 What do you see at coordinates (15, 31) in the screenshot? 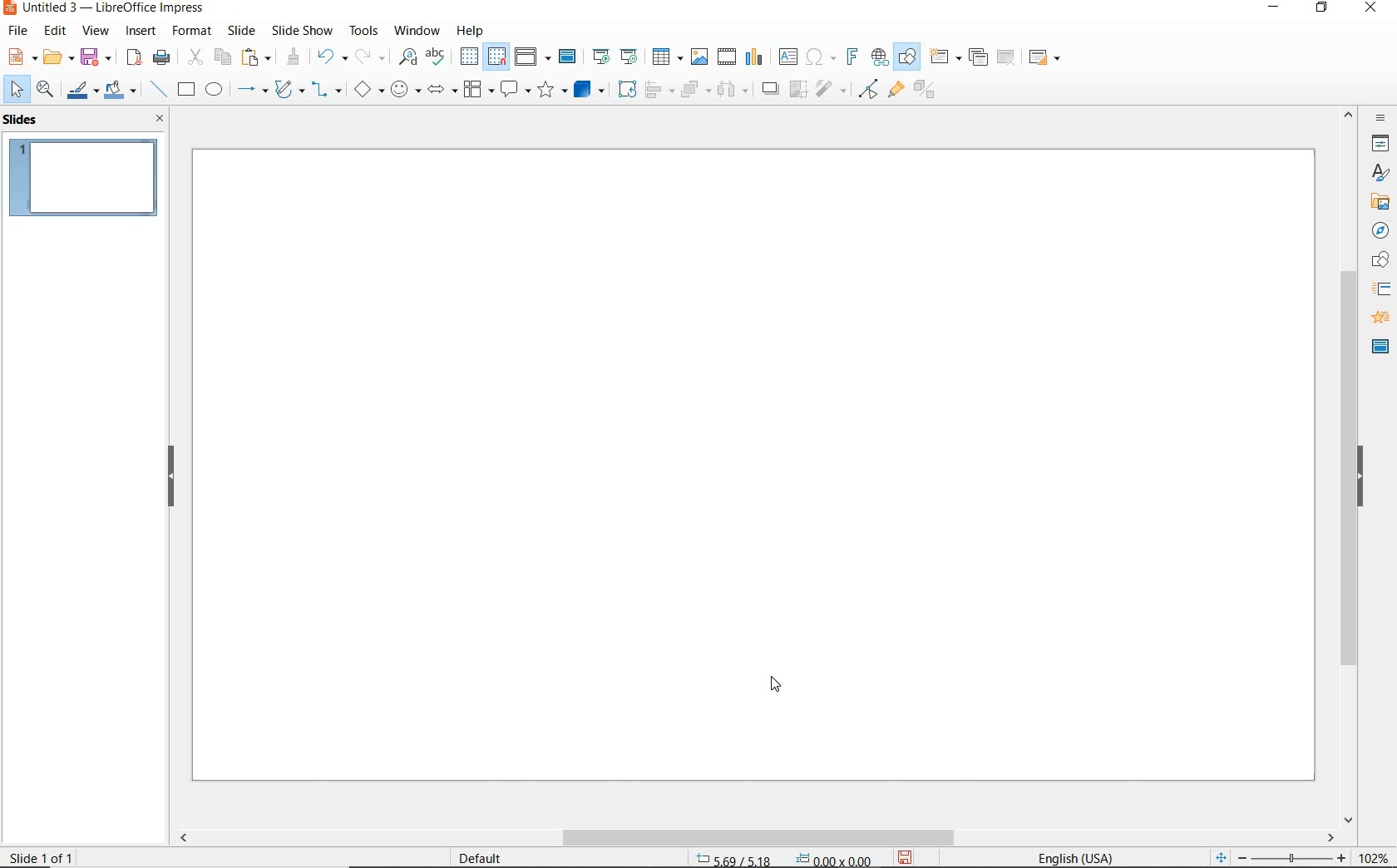
I see `FILE` at bounding box center [15, 31].